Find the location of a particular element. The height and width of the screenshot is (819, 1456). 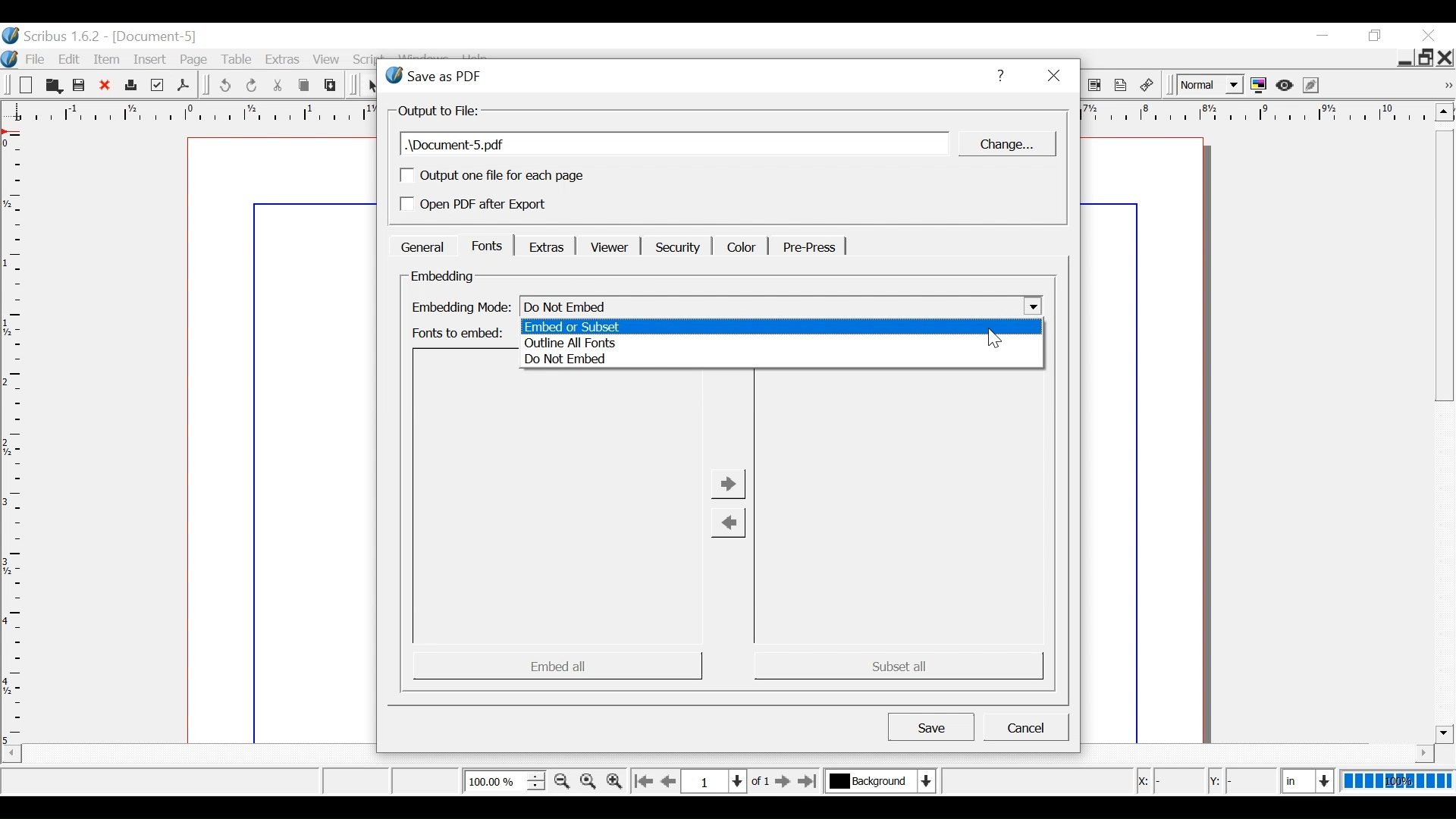

Vertical Scroll bar is located at coordinates (1444, 436).